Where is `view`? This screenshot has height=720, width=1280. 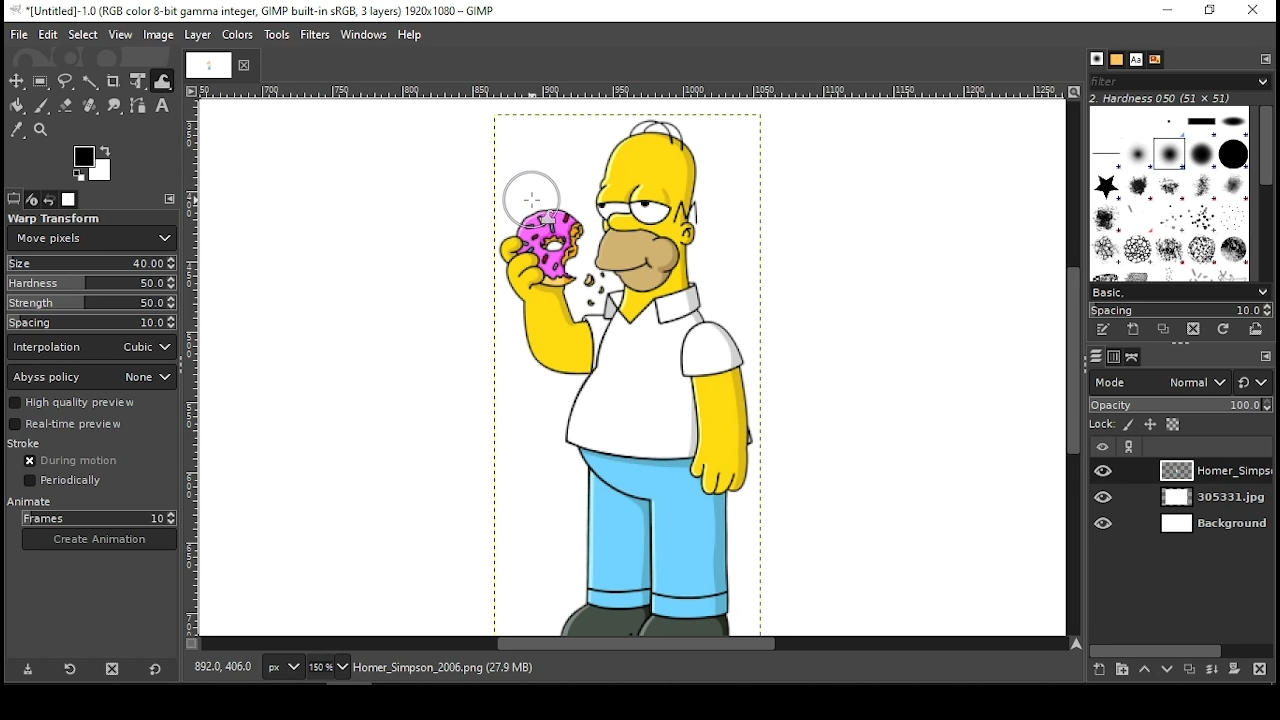
view is located at coordinates (122, 35).